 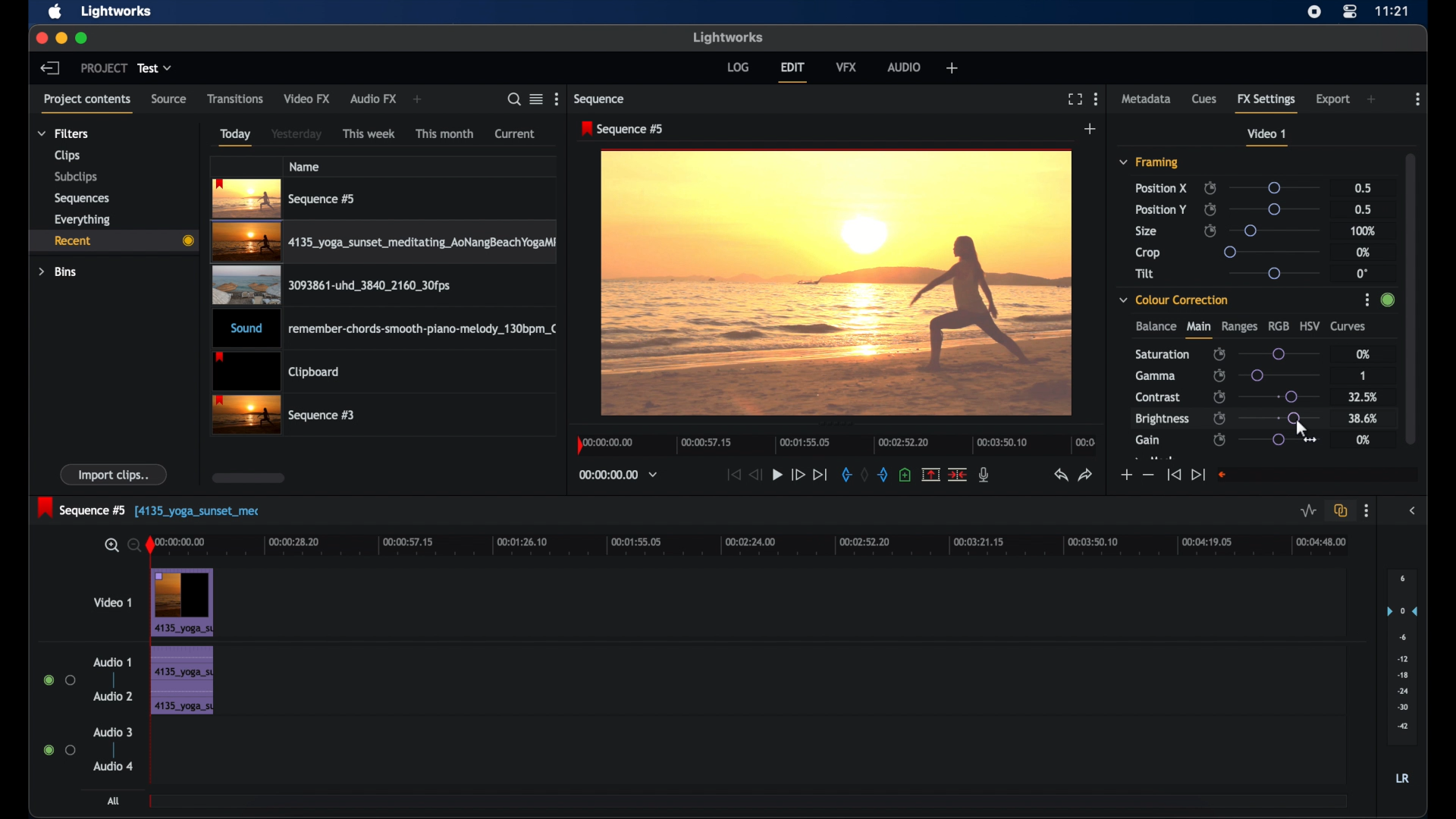 I want to click on enable/disable keyframes, so click(x=1220, y=375).